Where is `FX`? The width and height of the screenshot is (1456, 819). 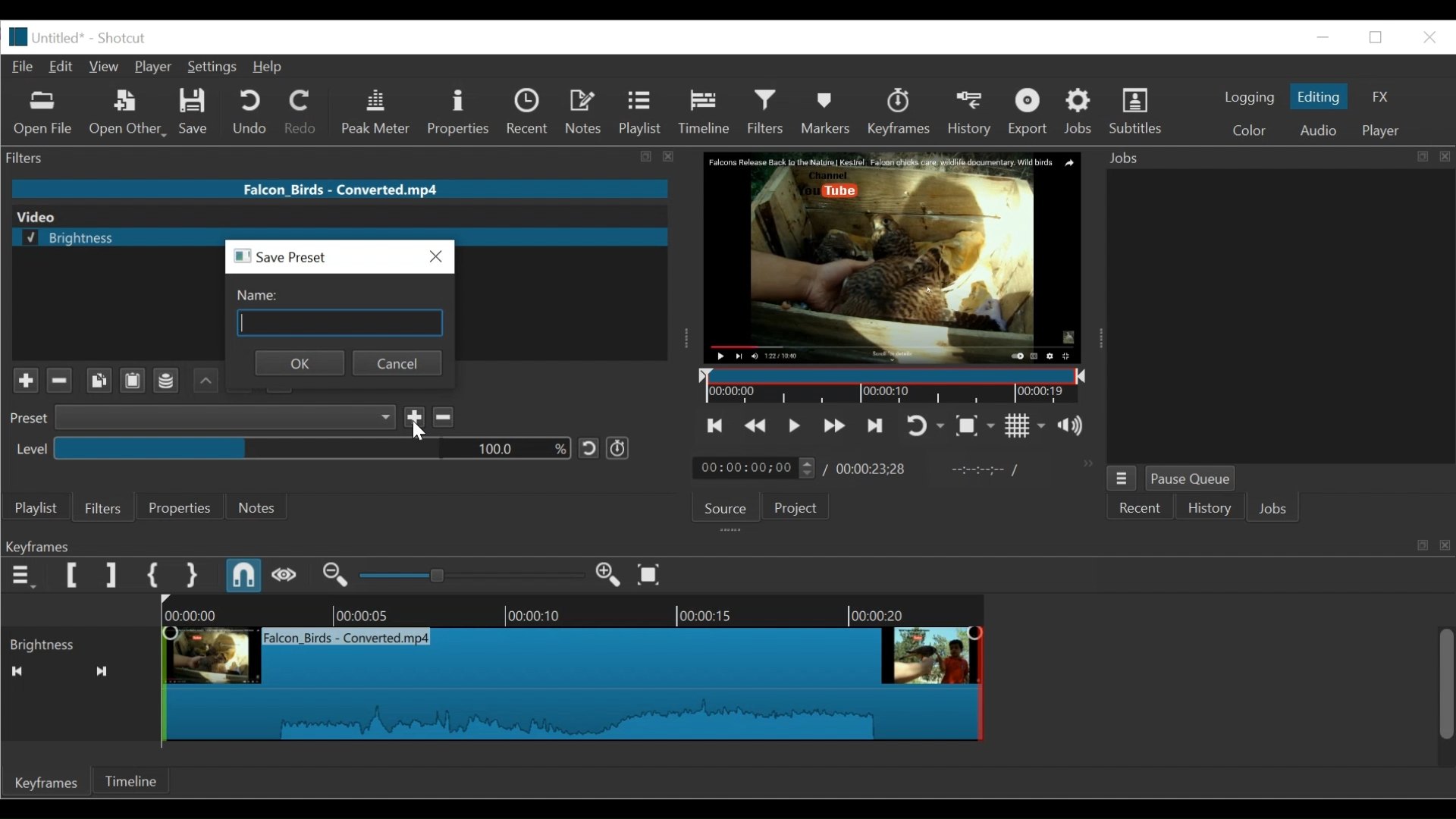
FX is located at coordinates (1380, 97).